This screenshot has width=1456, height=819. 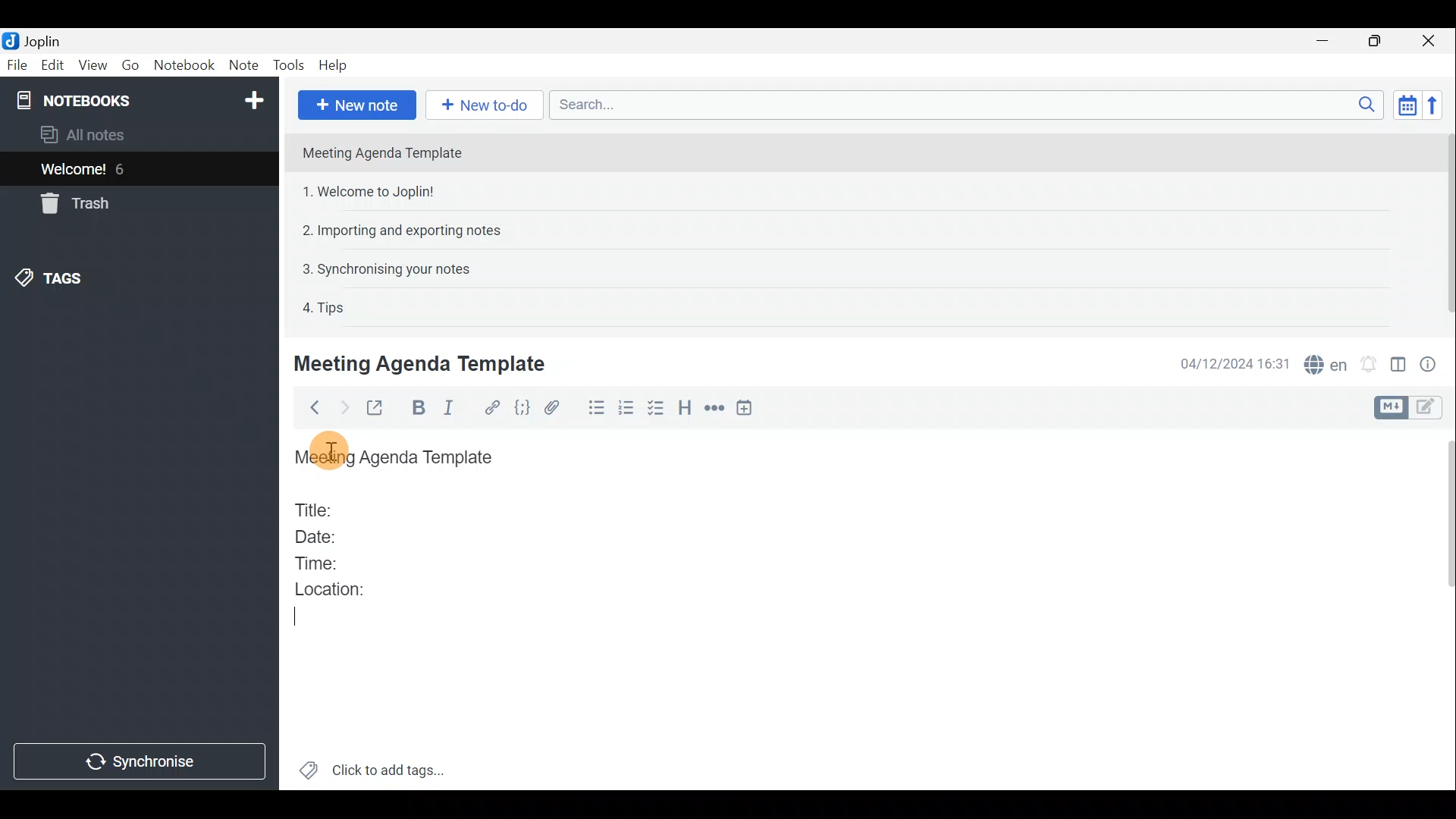 I want to click on Attach file, so click(x=559, y=408).